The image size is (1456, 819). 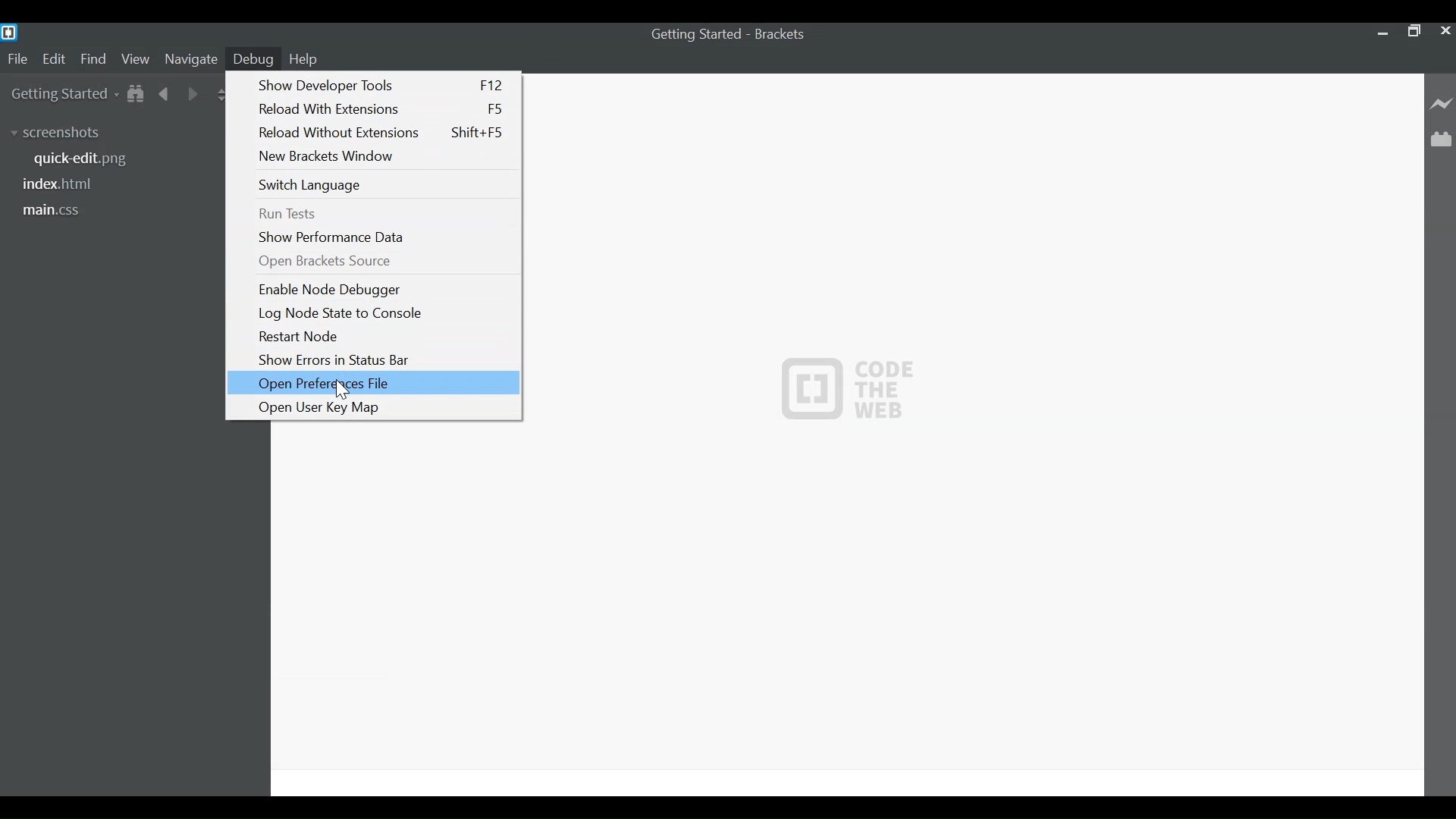 What do you see at coordinates (381, 359) in the screenshot?
I see `Show Errors in Status Bar` at bounding box center [381, 359].